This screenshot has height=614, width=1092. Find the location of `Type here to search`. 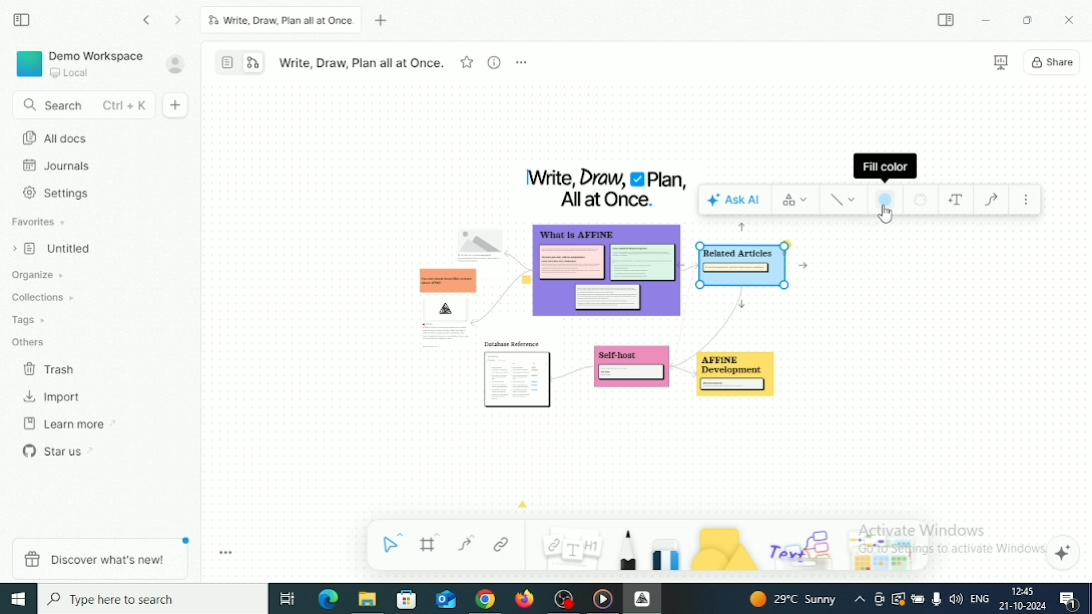

Type here to search is located at coordinates (153, 598).